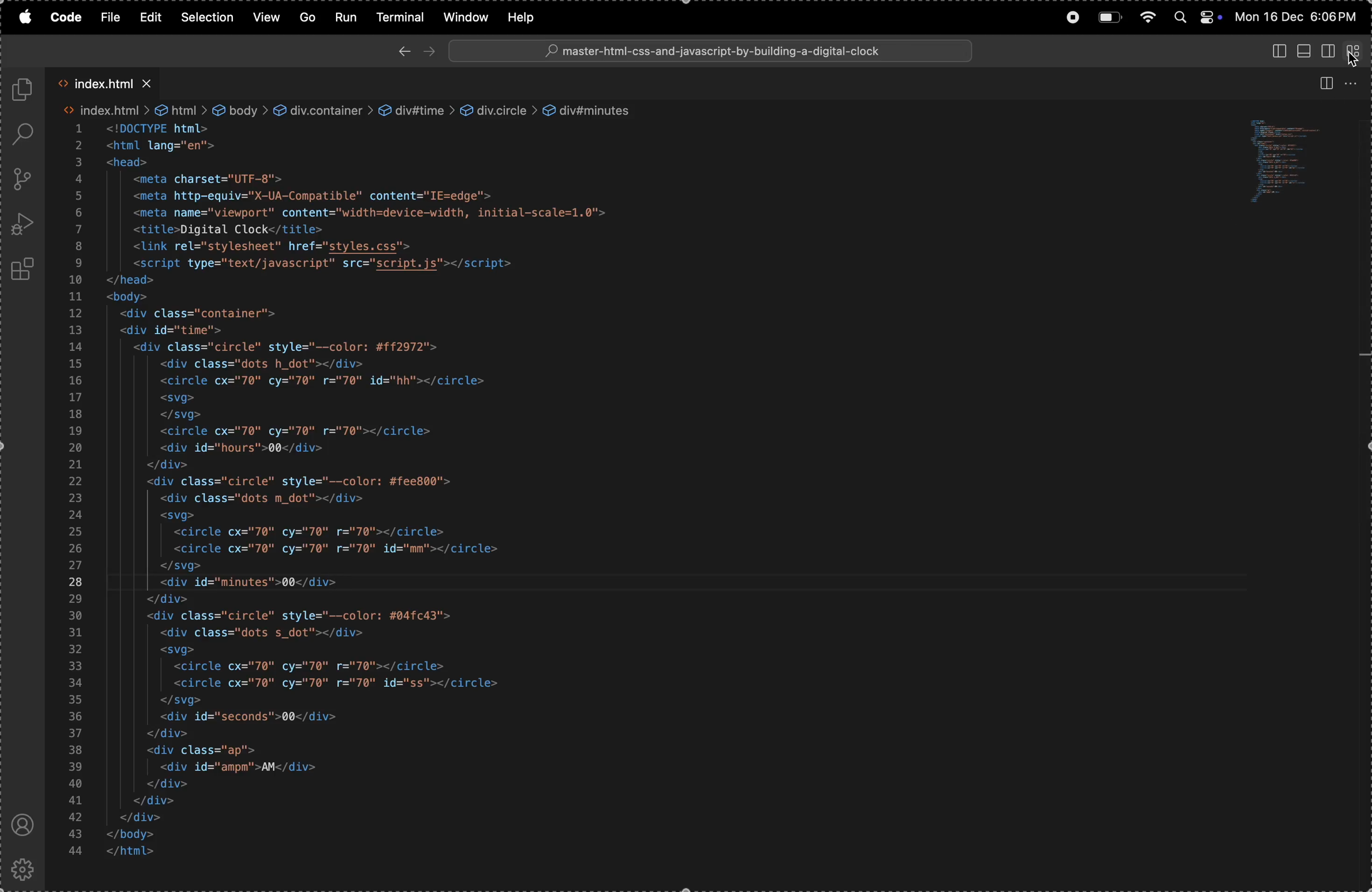  What do you see at coordinates (1275, 52) in the screenshot?
I see `toggle panel` at bounding box center [1275, 52].